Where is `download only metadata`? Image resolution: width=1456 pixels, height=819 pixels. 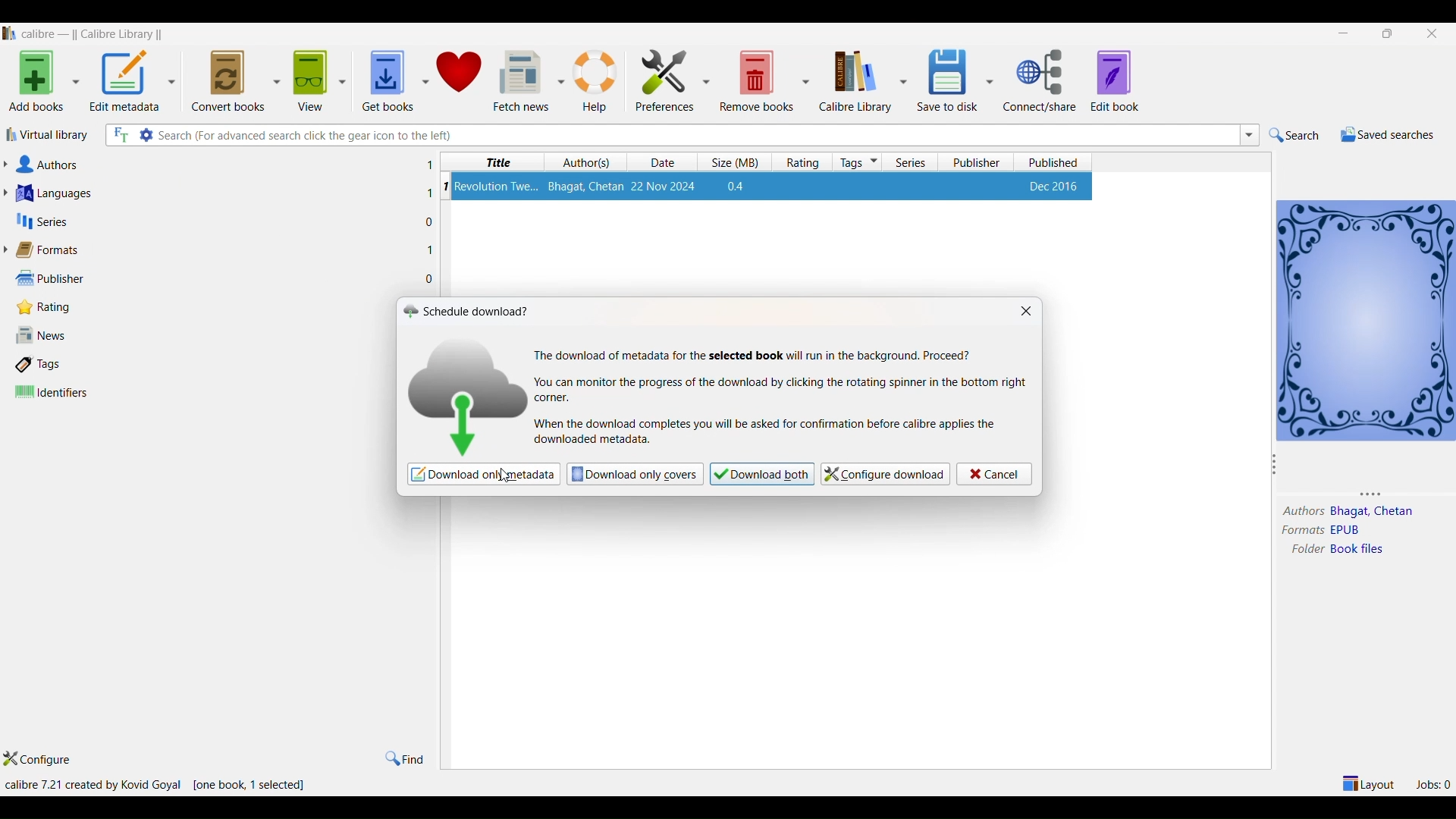 download only metadata is located at coordinates (484, 474).